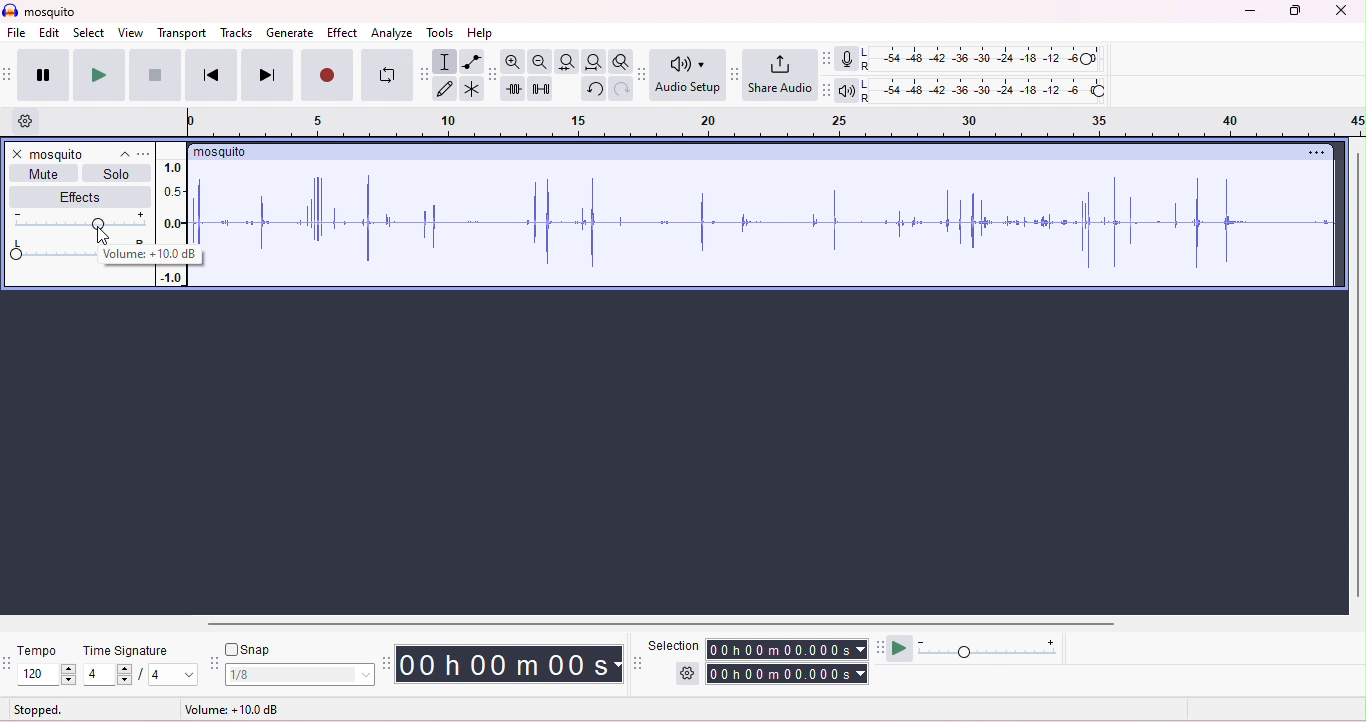  Describe the element at coordinates (172, 200) in the screenshot. I see `amplitude` at that location.